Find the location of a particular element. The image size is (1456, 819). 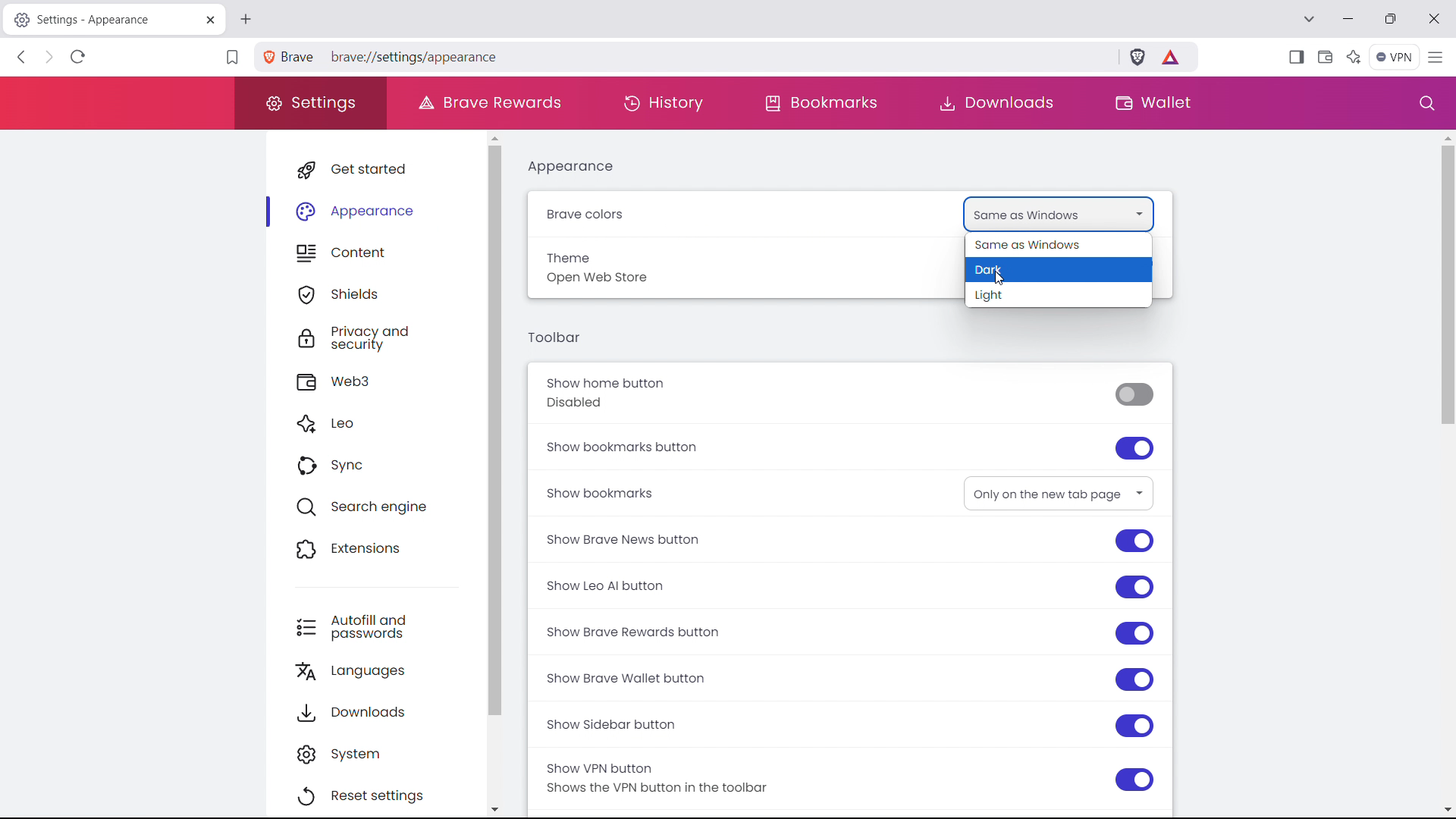

close is located at coordinates (1436, 18).